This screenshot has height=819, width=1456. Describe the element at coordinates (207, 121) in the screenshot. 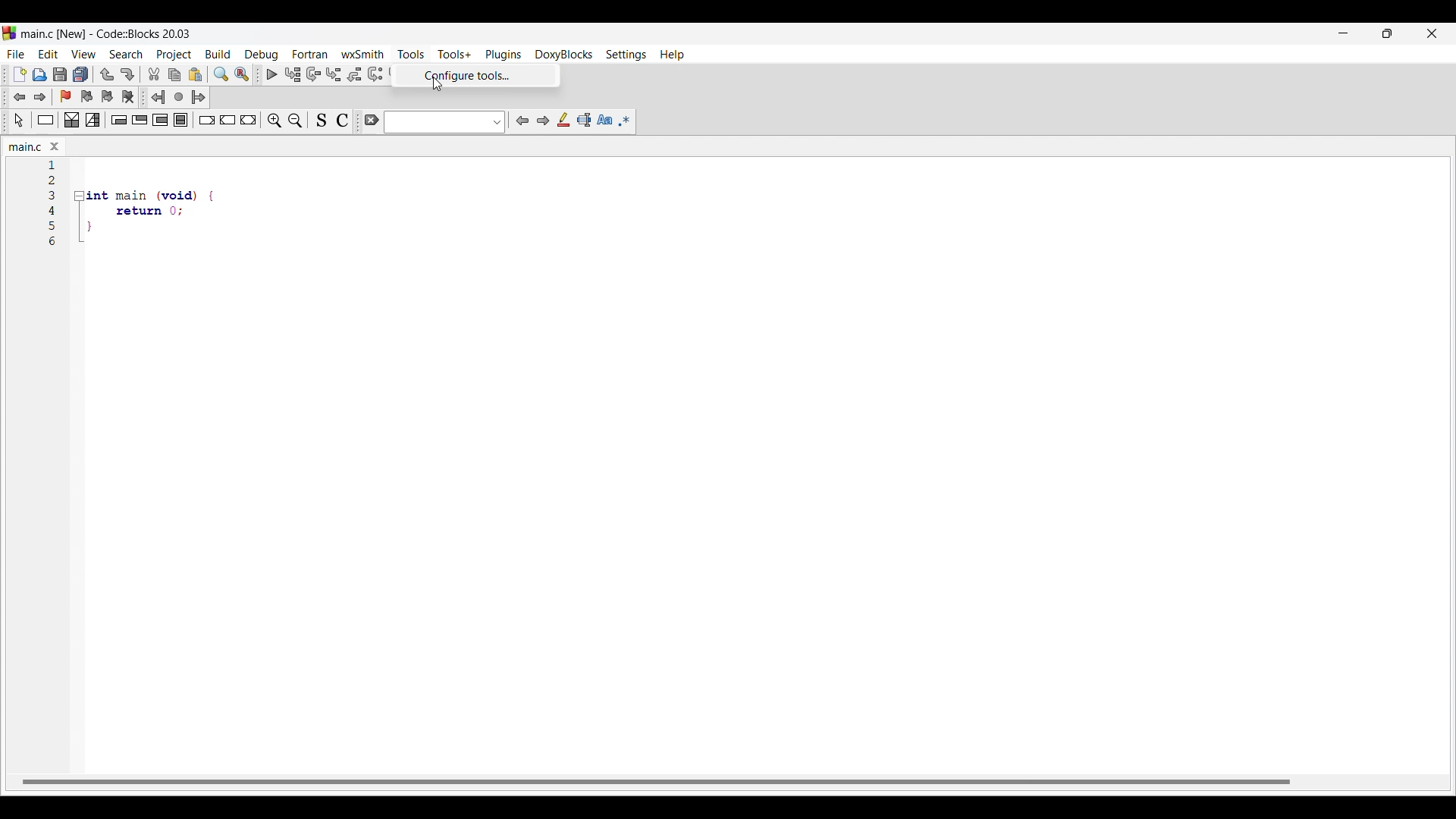

I see `Break instruction` at that location.